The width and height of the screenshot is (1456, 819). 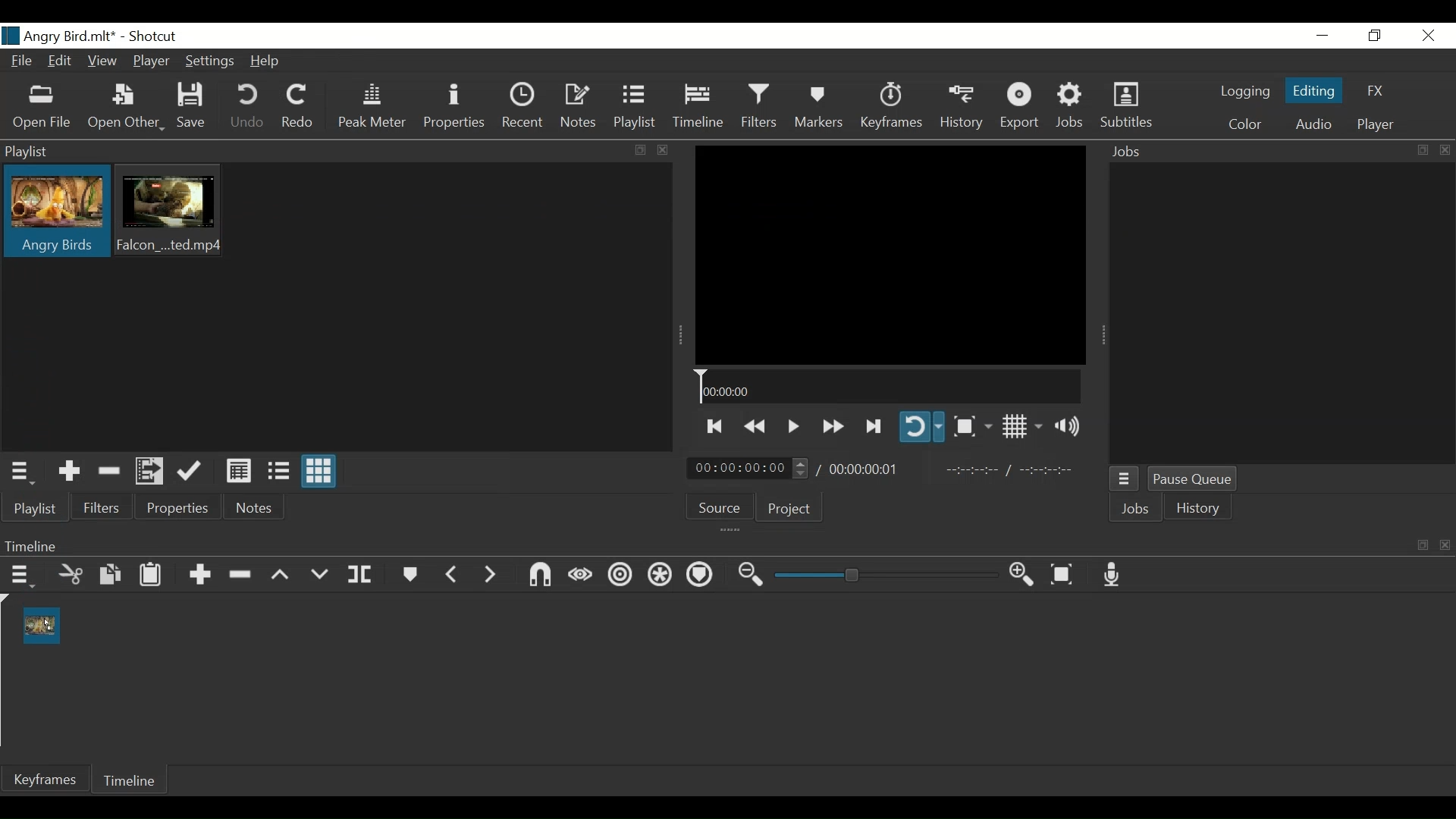 What do you see at coordinates (698, 108) in the screenshot?
I see `Timeline` at bounding box center [698, 108].